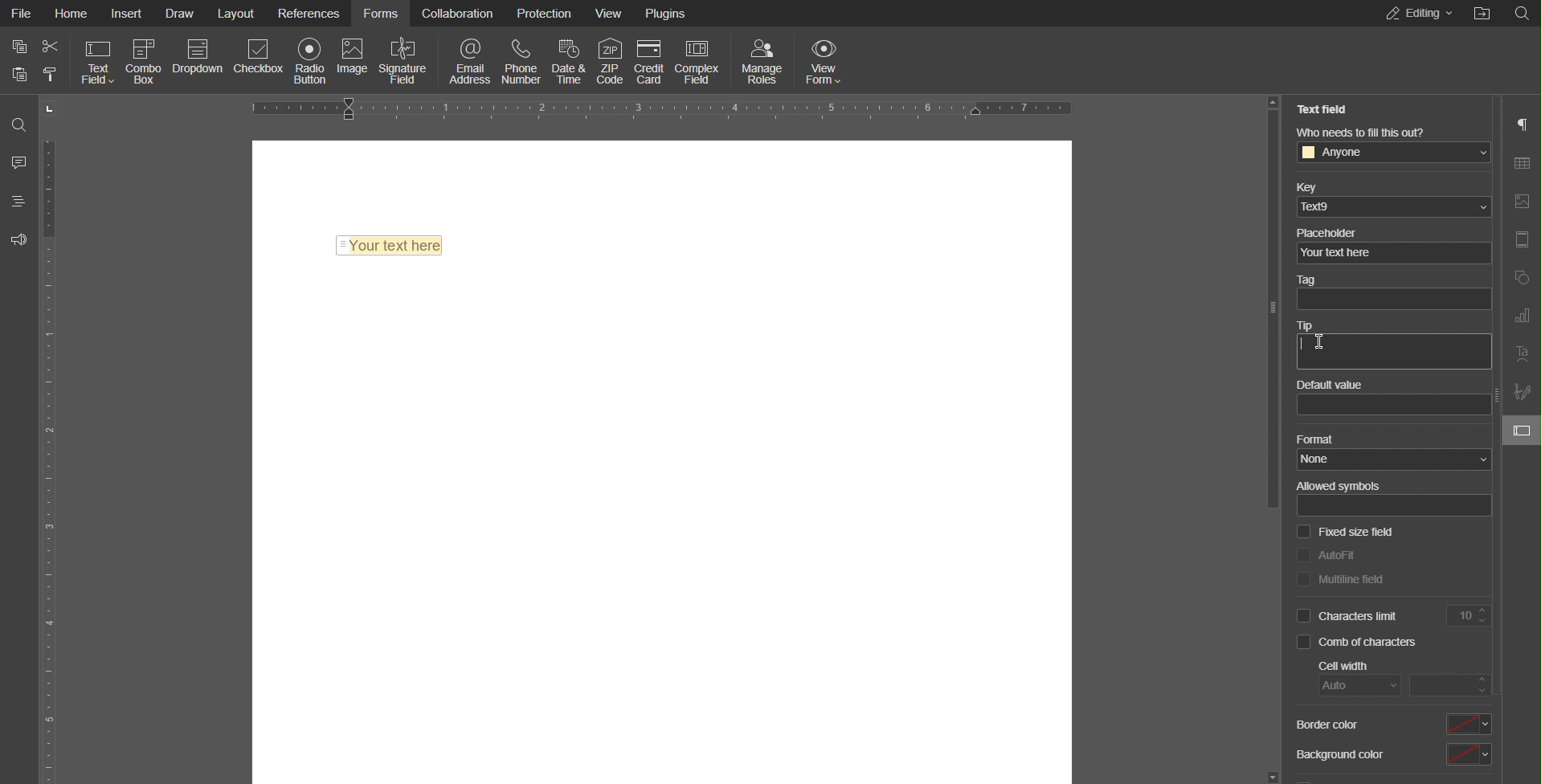 The image size is (1541, 784). Describe the element at coordinates (1453, 685) in the screenshot. I see `input cell width ` at that location.